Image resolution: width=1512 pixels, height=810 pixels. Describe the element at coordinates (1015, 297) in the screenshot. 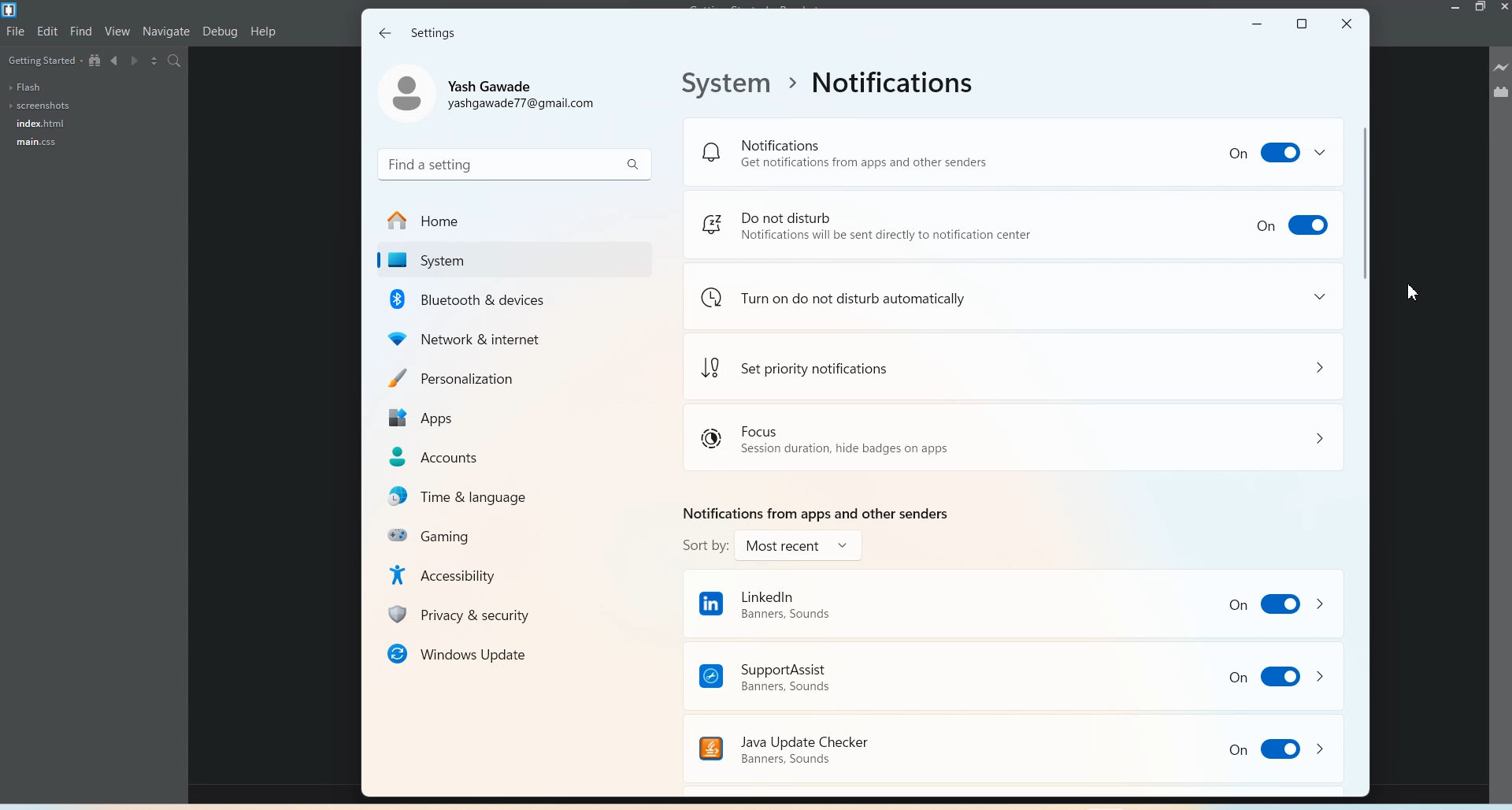

I see `Turn on do not disturb automatically` at that location.